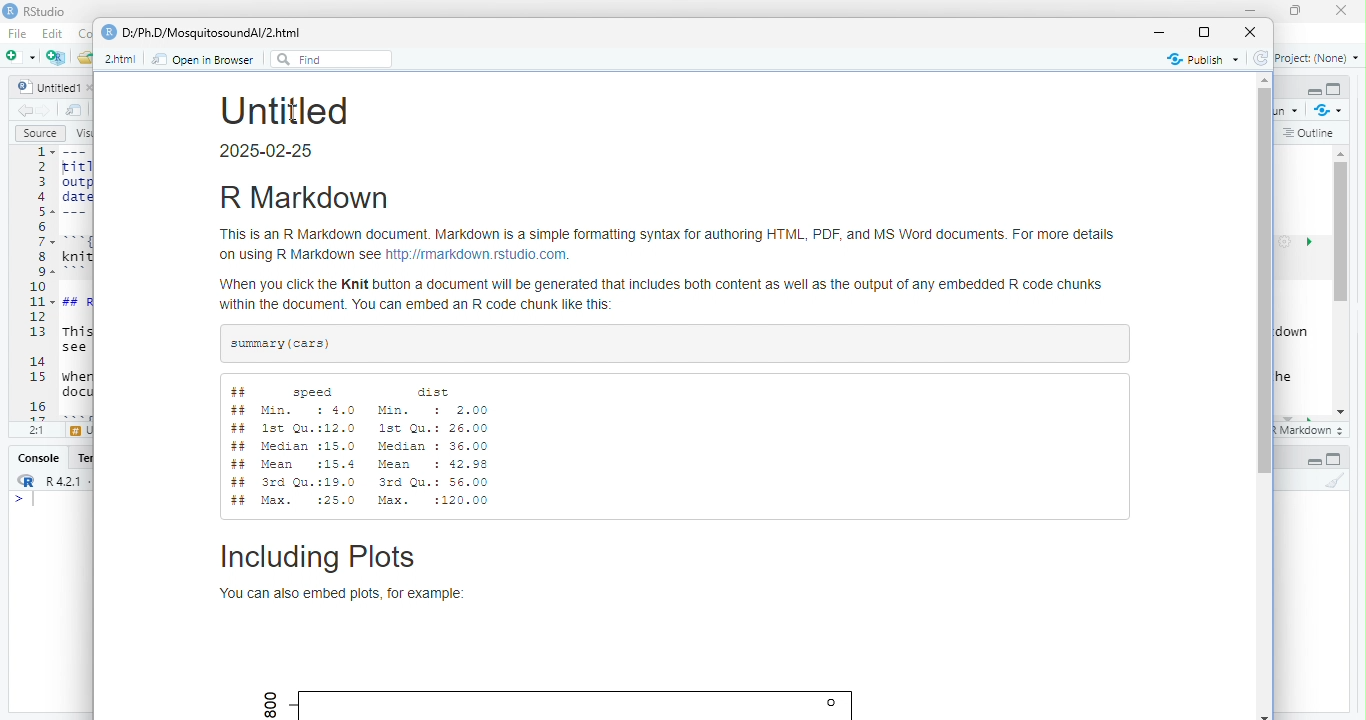 The image size is (1366, 720). I want to click on Project: (None), so click(1318, 58).